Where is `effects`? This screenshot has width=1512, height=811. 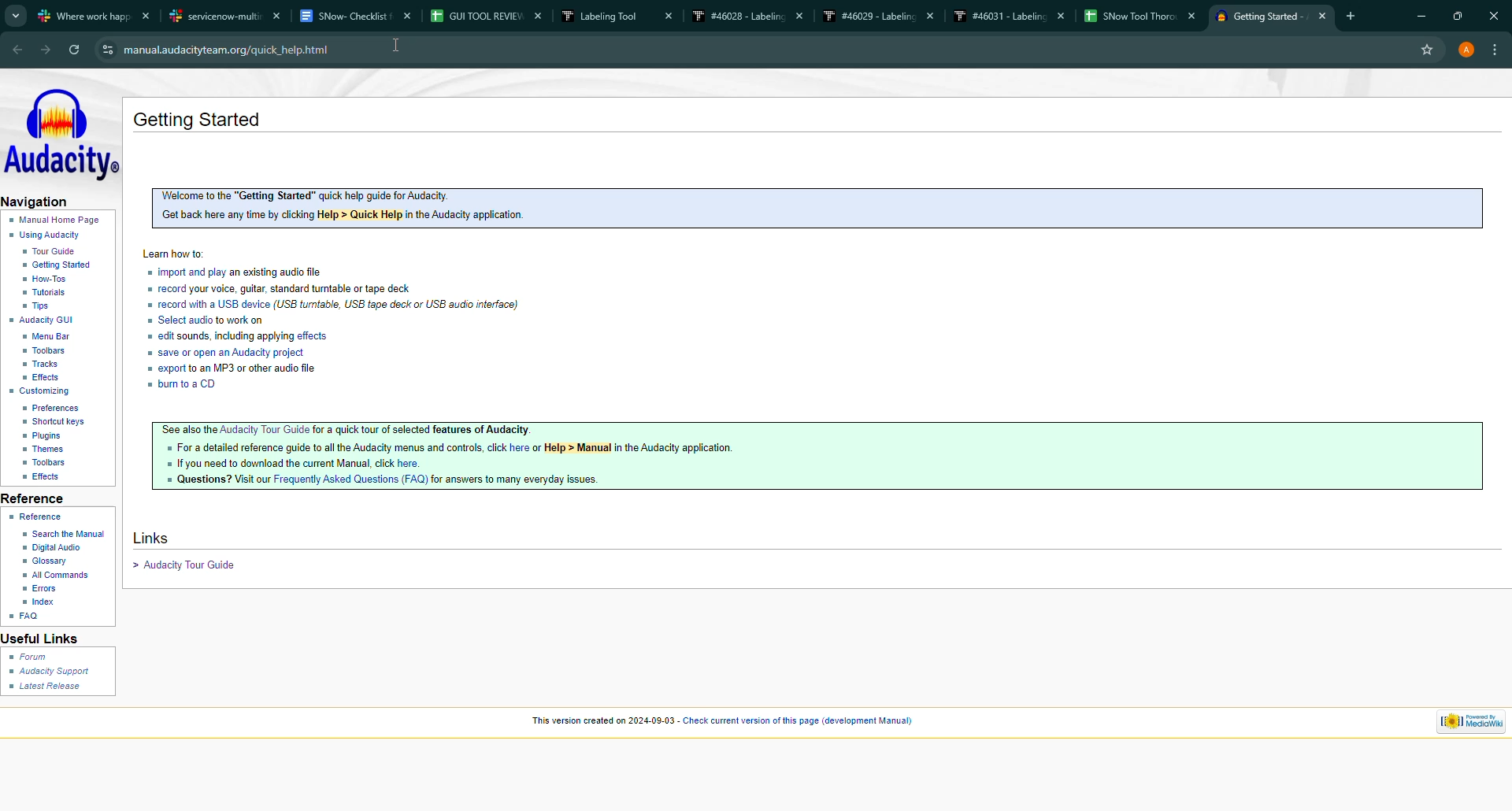 effects is located at coordinates (317, 336).